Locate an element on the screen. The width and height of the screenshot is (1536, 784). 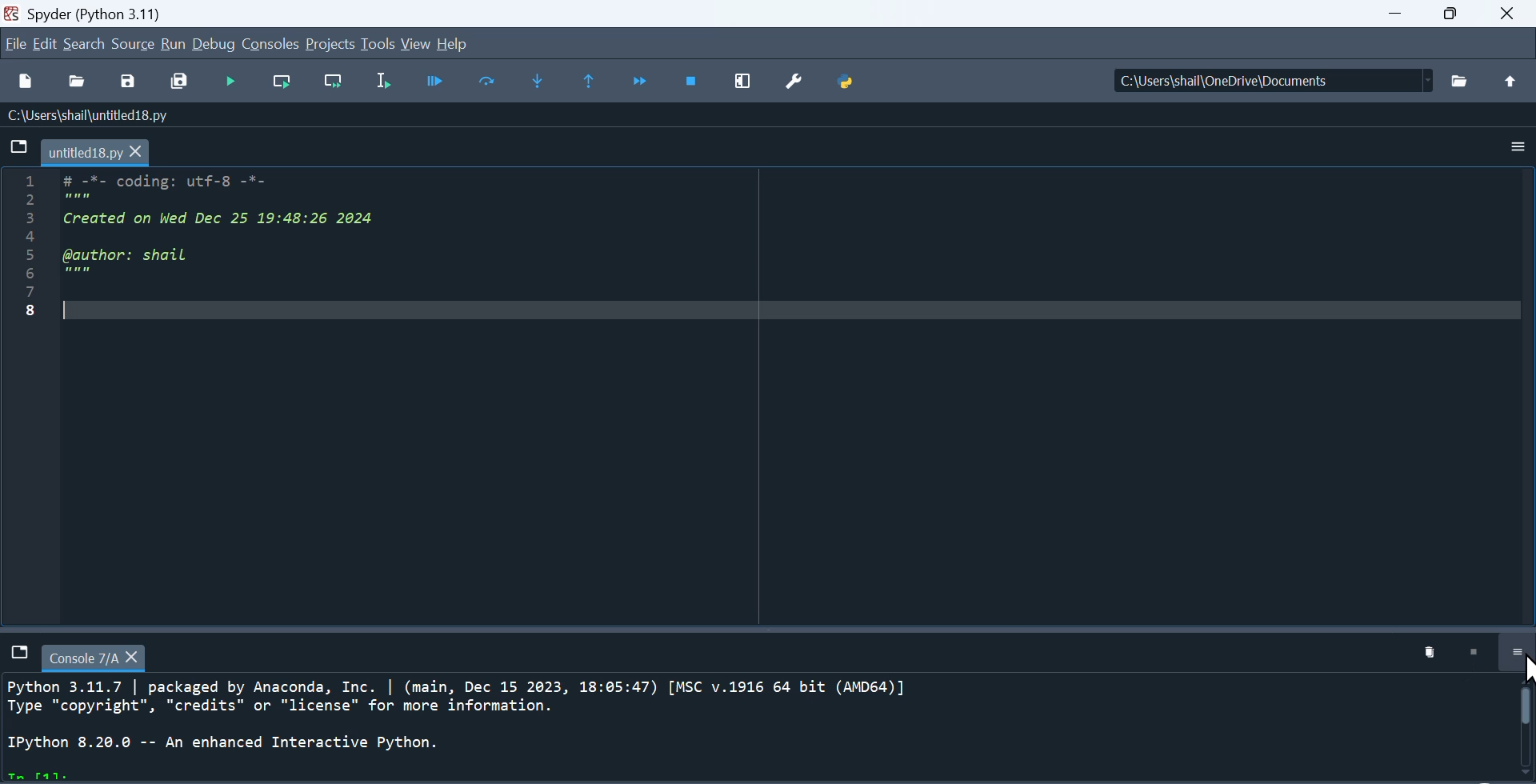
hlep is located at coordinates (456, 44).